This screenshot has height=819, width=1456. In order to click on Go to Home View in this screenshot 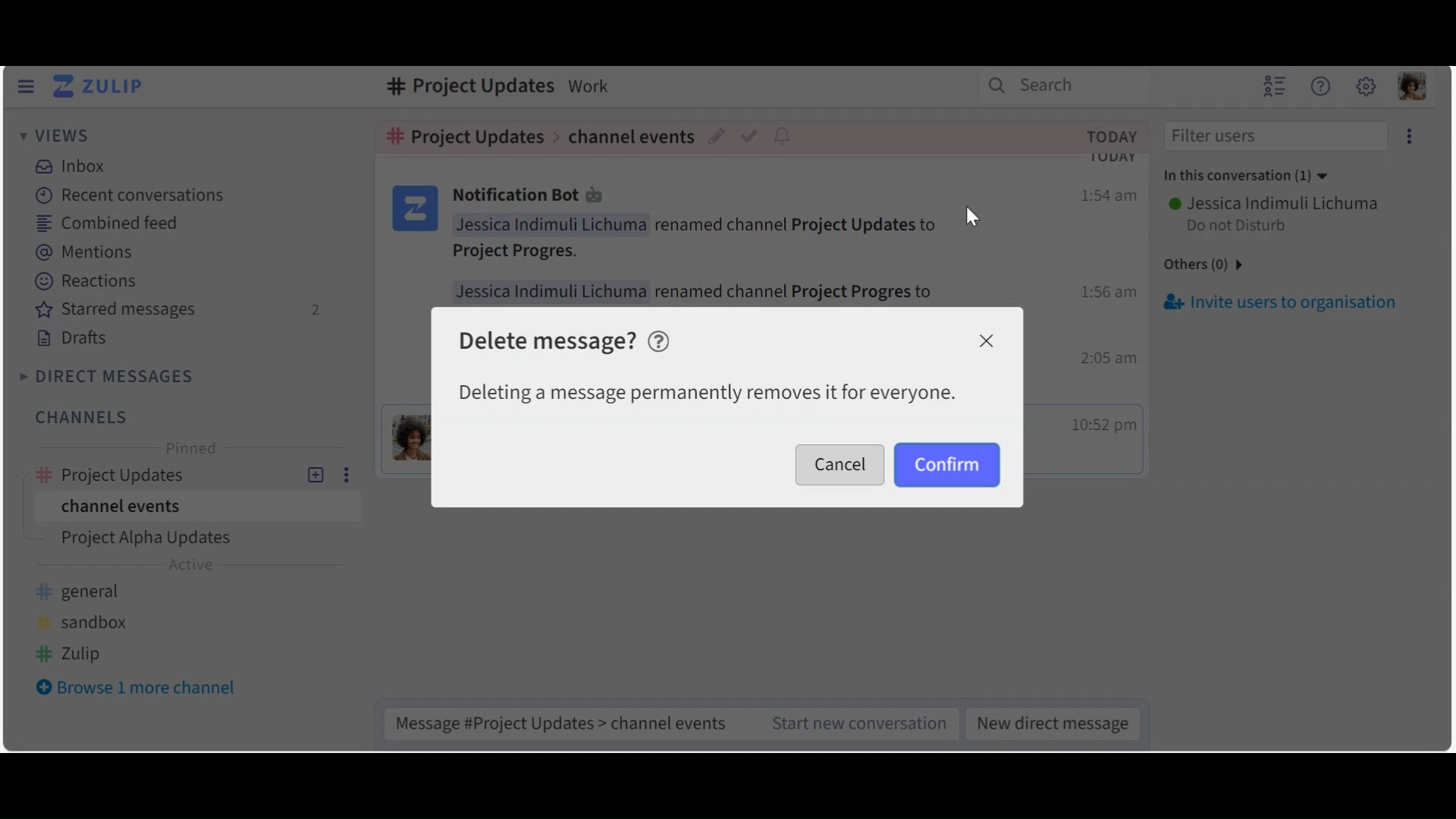, I will do `click(102, 86)`.